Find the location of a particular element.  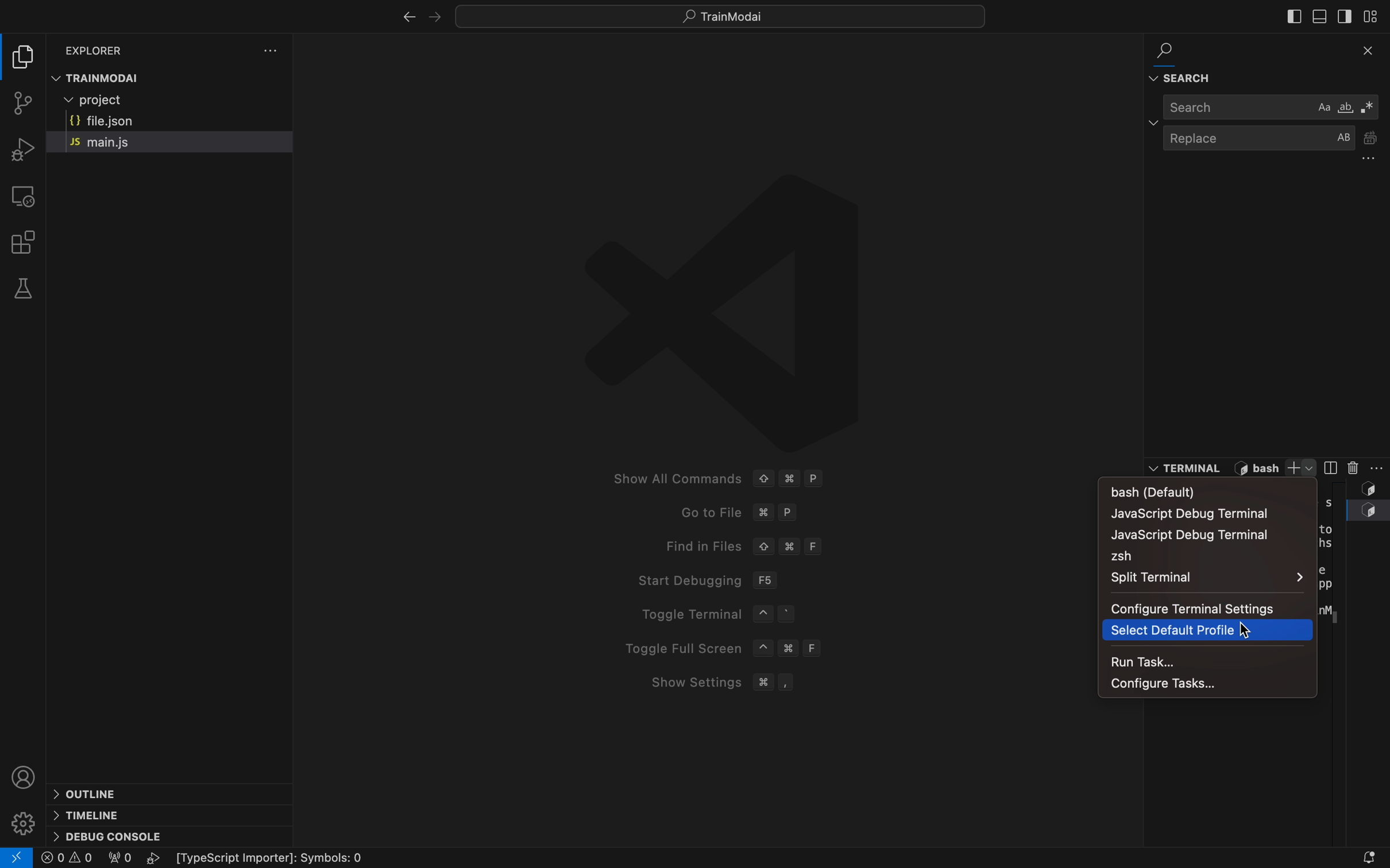

sidebar at left is located at coordinates (1292, 17).